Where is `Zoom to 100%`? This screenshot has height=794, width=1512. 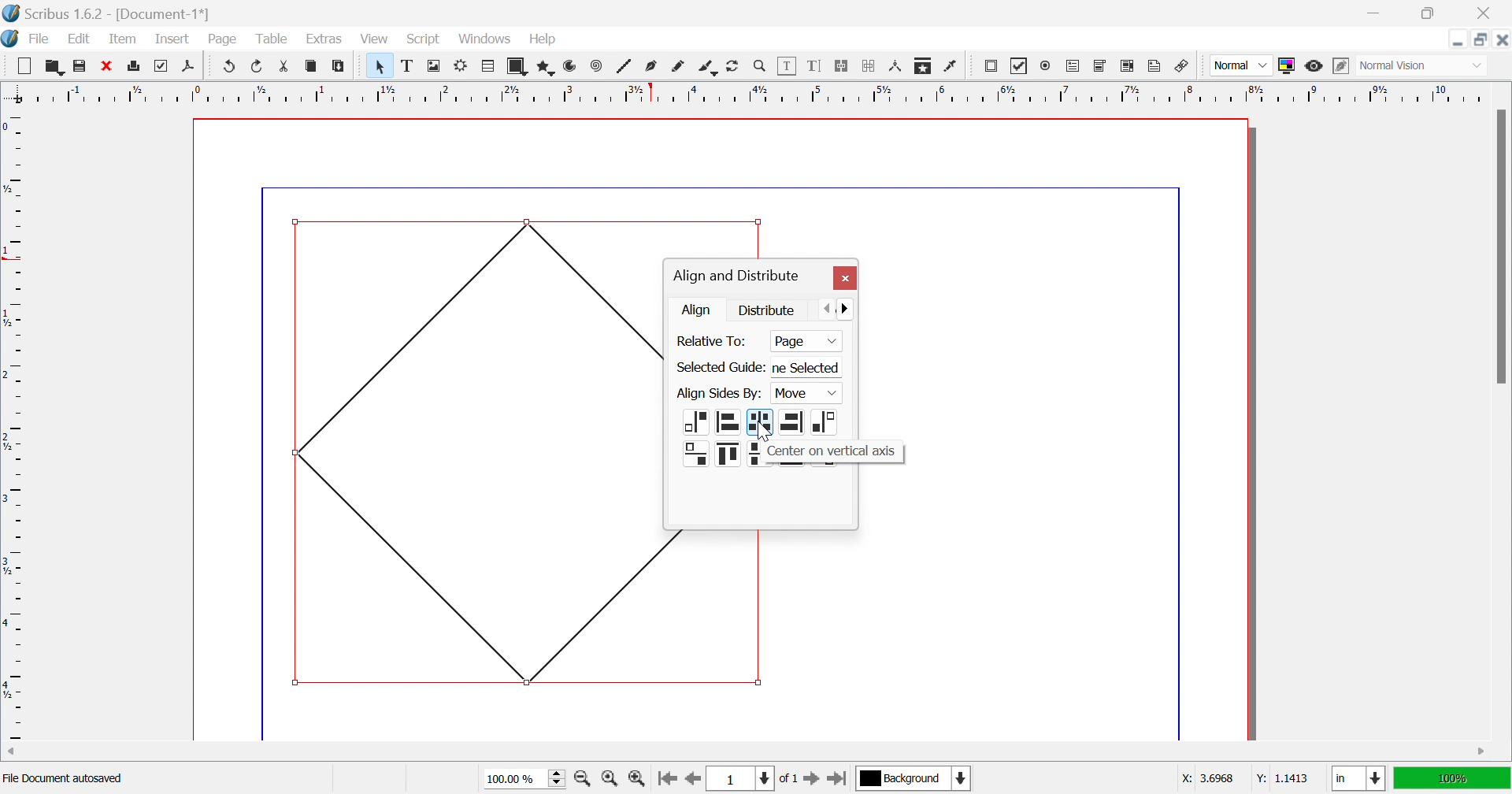 Zoom to 100% is located at coordinates (612, 781).